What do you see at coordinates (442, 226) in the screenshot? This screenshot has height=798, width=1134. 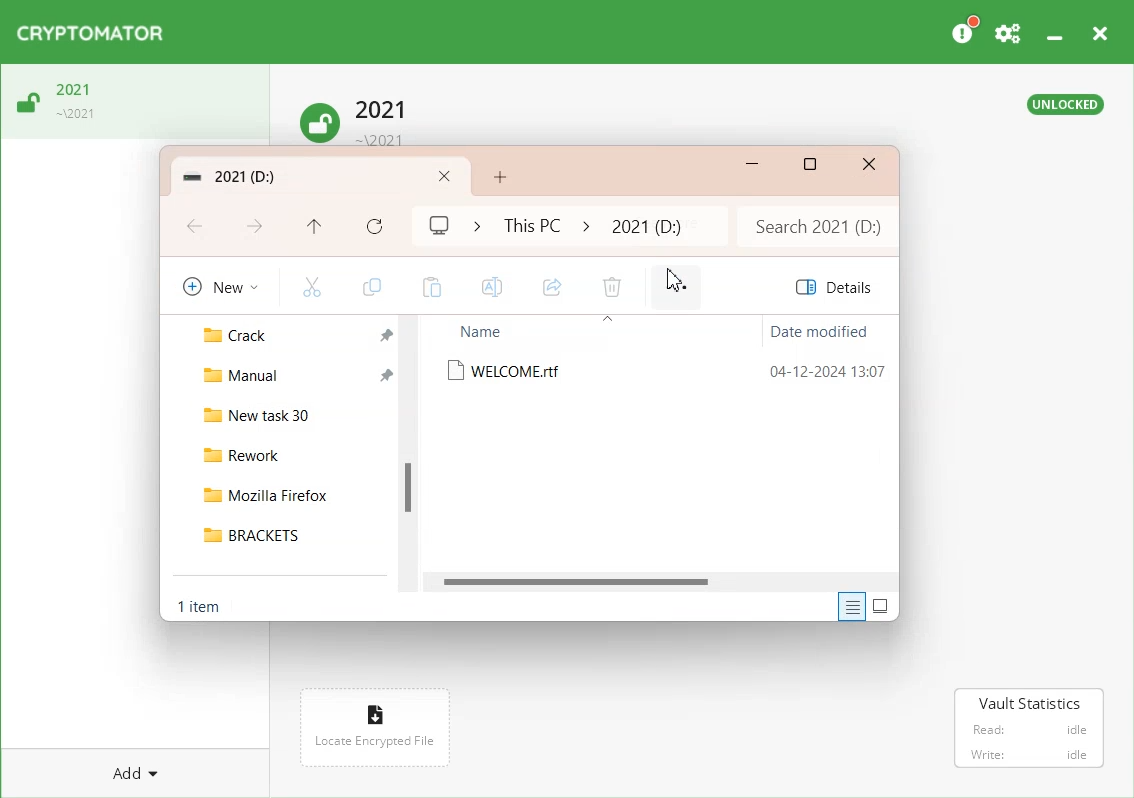 I see `My computer` at bounding box center [442, 226].